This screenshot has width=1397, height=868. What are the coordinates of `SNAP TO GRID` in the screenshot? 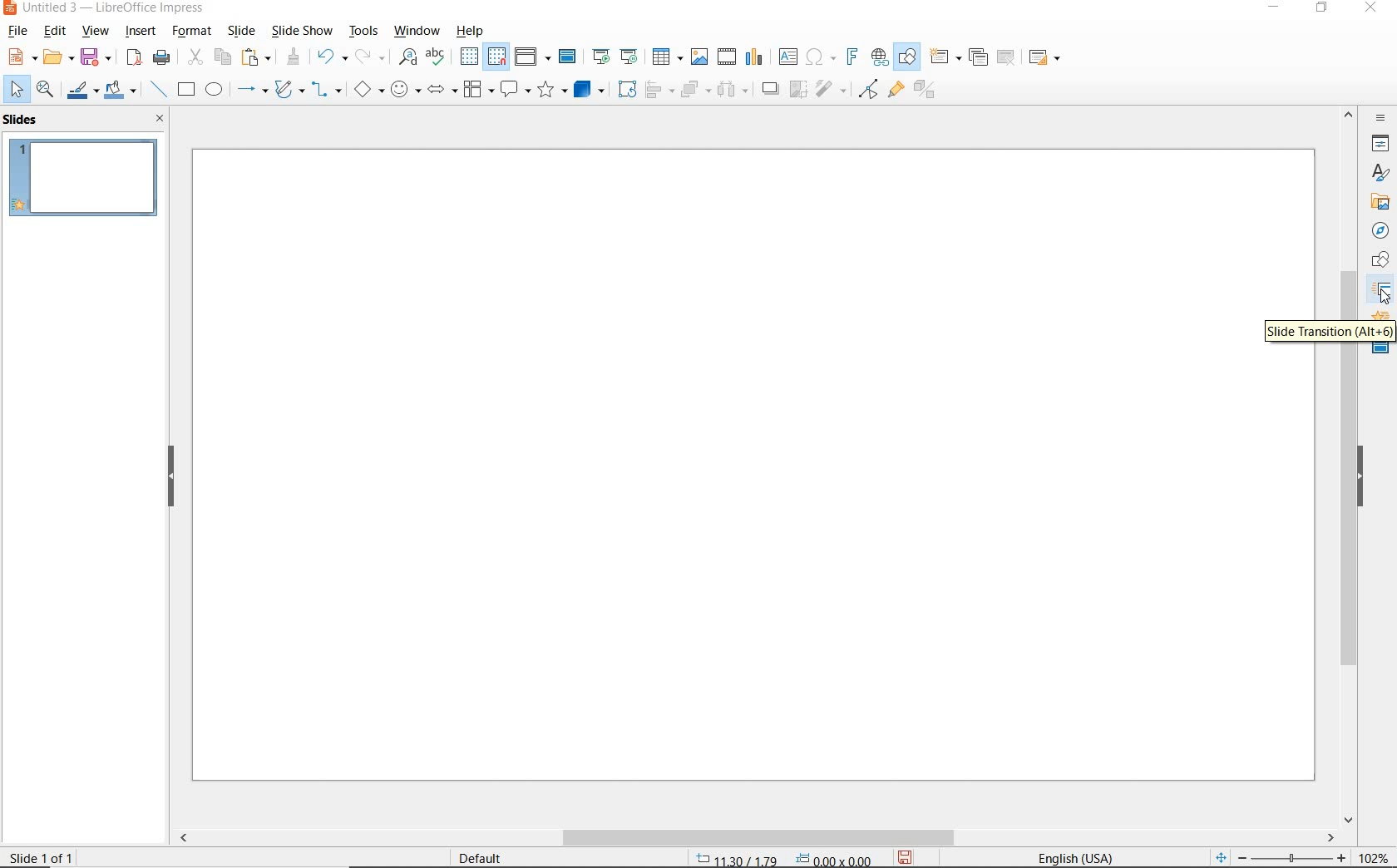 It's located at (498, 56).